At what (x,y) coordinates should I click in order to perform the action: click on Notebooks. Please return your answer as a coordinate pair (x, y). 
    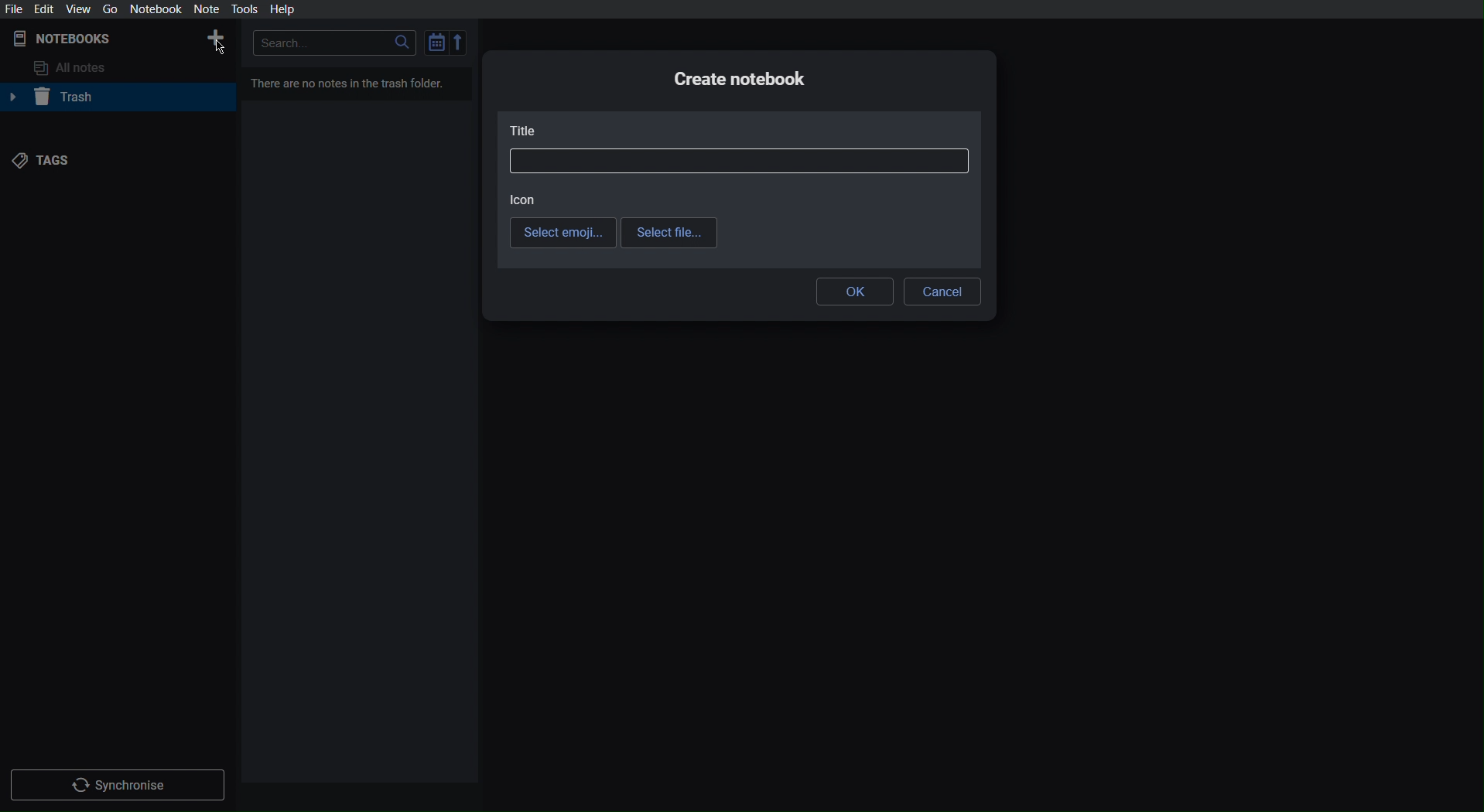
    Looking at the image, I should click on (63, 39).